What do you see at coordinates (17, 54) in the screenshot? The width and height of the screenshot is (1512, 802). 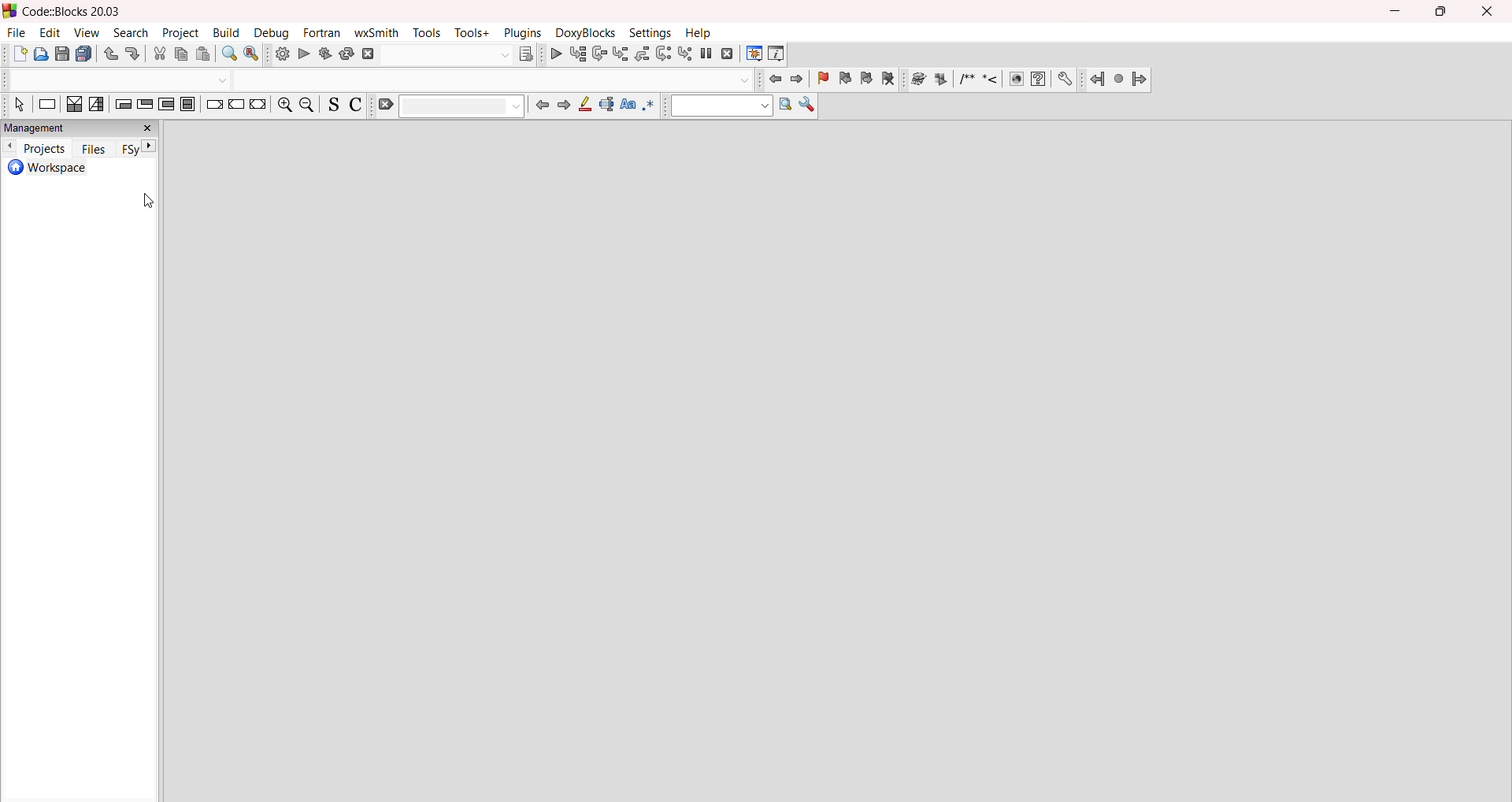 I see `add new` at bounding box center [17, 54].